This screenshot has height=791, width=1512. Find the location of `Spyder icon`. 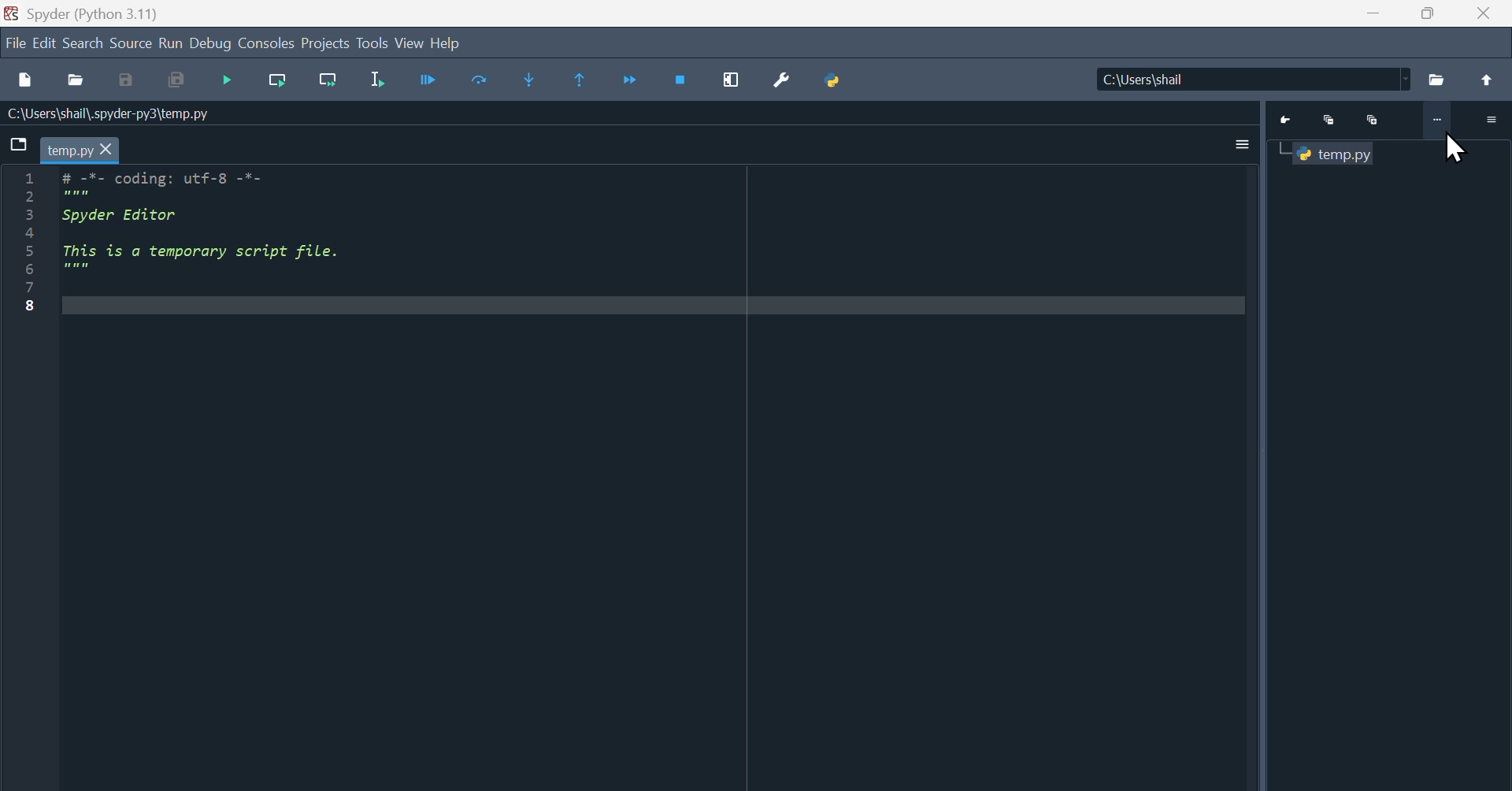

Spyder icon is located at coordinates (11, 13).